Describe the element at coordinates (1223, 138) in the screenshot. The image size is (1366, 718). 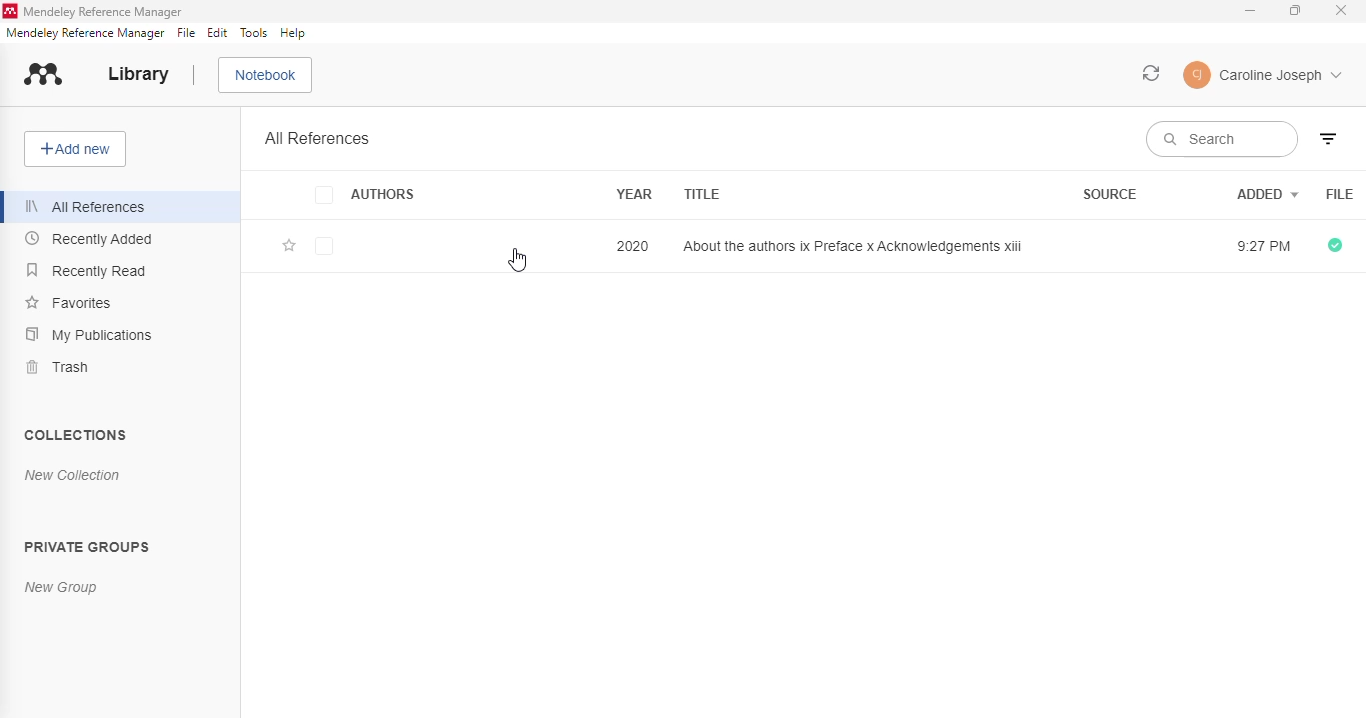
I see `search` at that location.